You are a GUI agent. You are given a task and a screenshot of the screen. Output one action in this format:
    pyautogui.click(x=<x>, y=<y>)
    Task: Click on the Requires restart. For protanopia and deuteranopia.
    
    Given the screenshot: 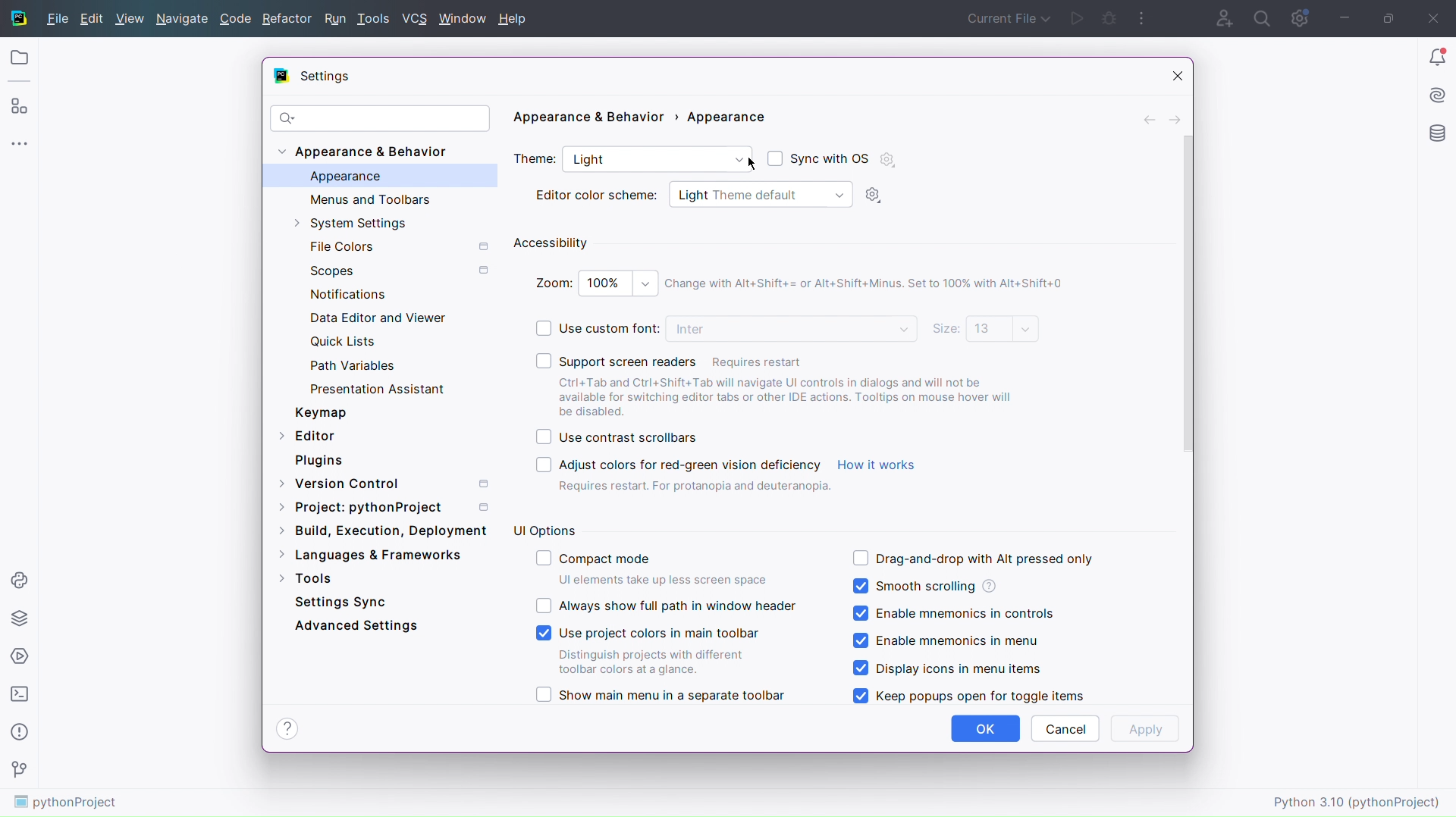 What is the action you would take?
    pyautogui.click(x=695, y=488)
    